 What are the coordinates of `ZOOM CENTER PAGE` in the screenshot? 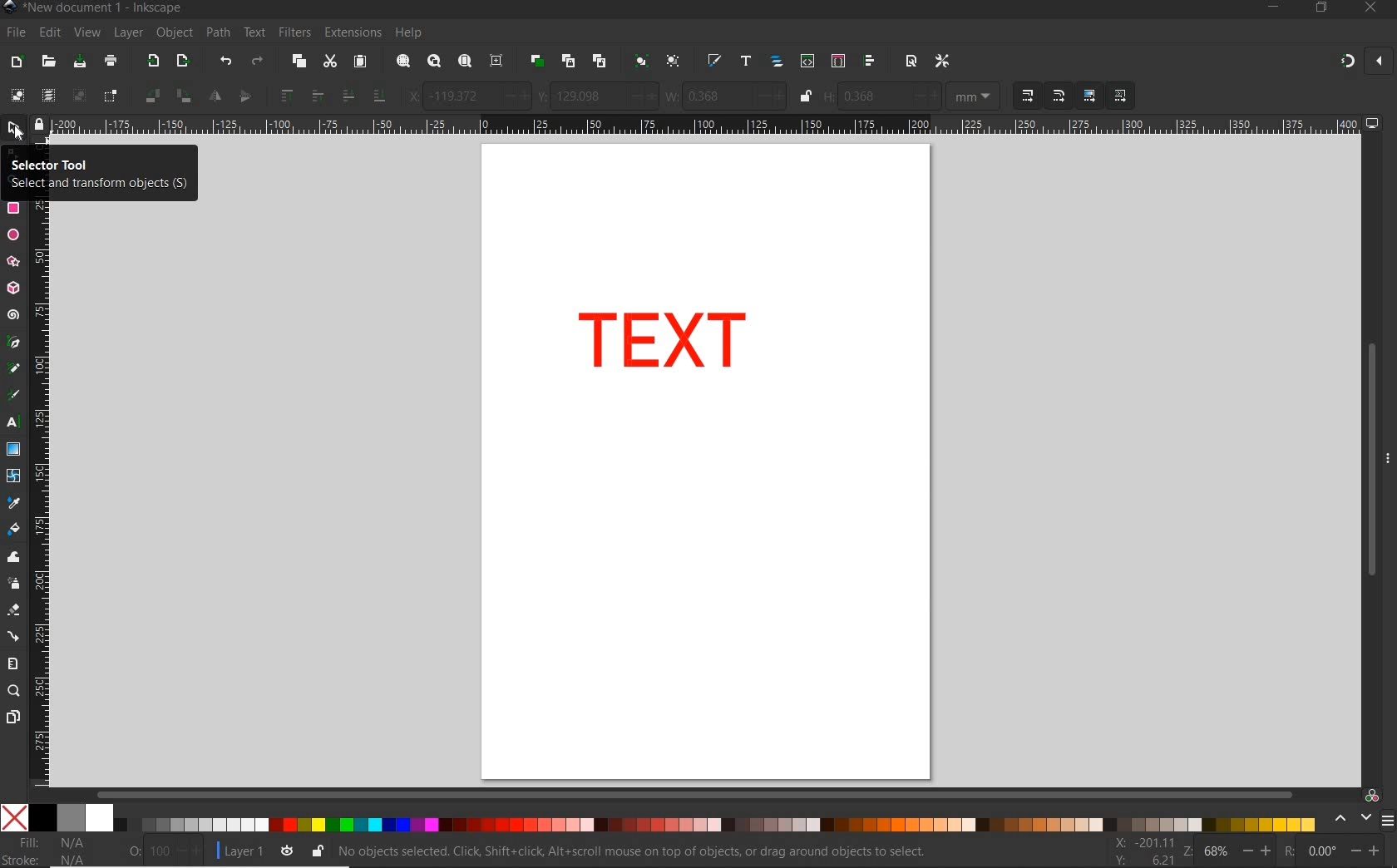 It's located at (496, 62).